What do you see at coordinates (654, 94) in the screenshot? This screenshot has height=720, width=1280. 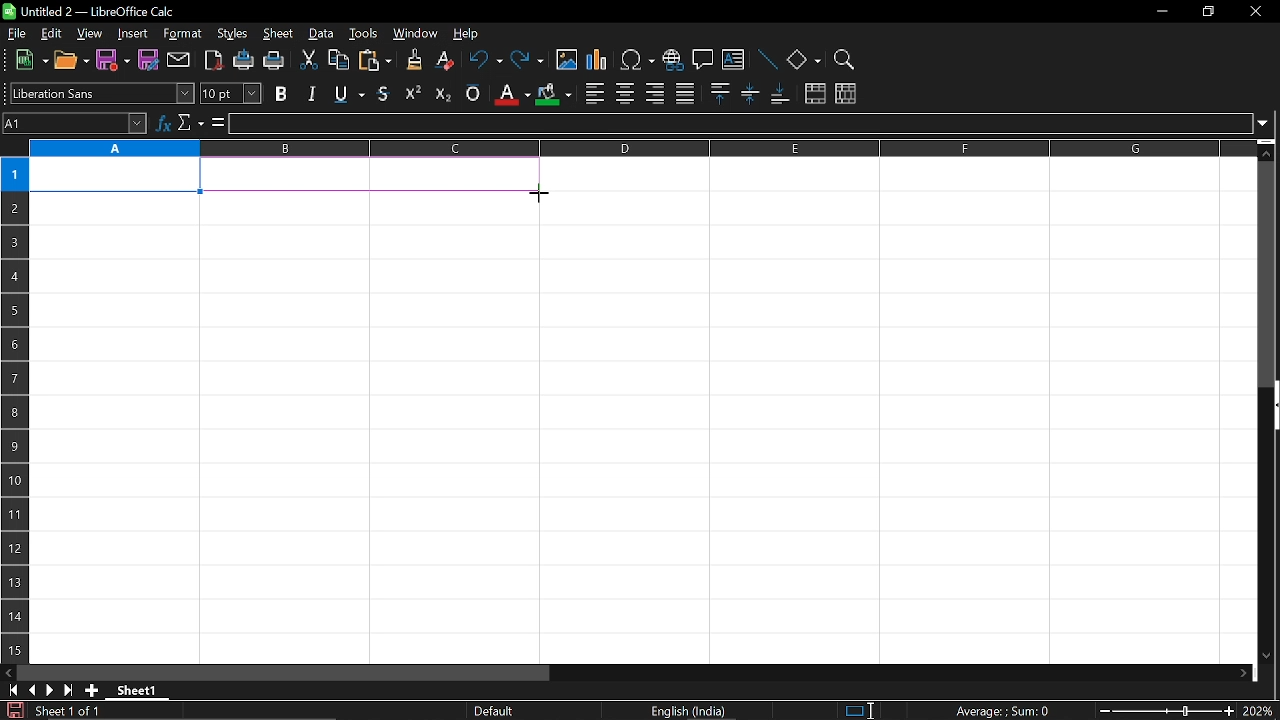 I see `align right` at bounding box center [654, 94].